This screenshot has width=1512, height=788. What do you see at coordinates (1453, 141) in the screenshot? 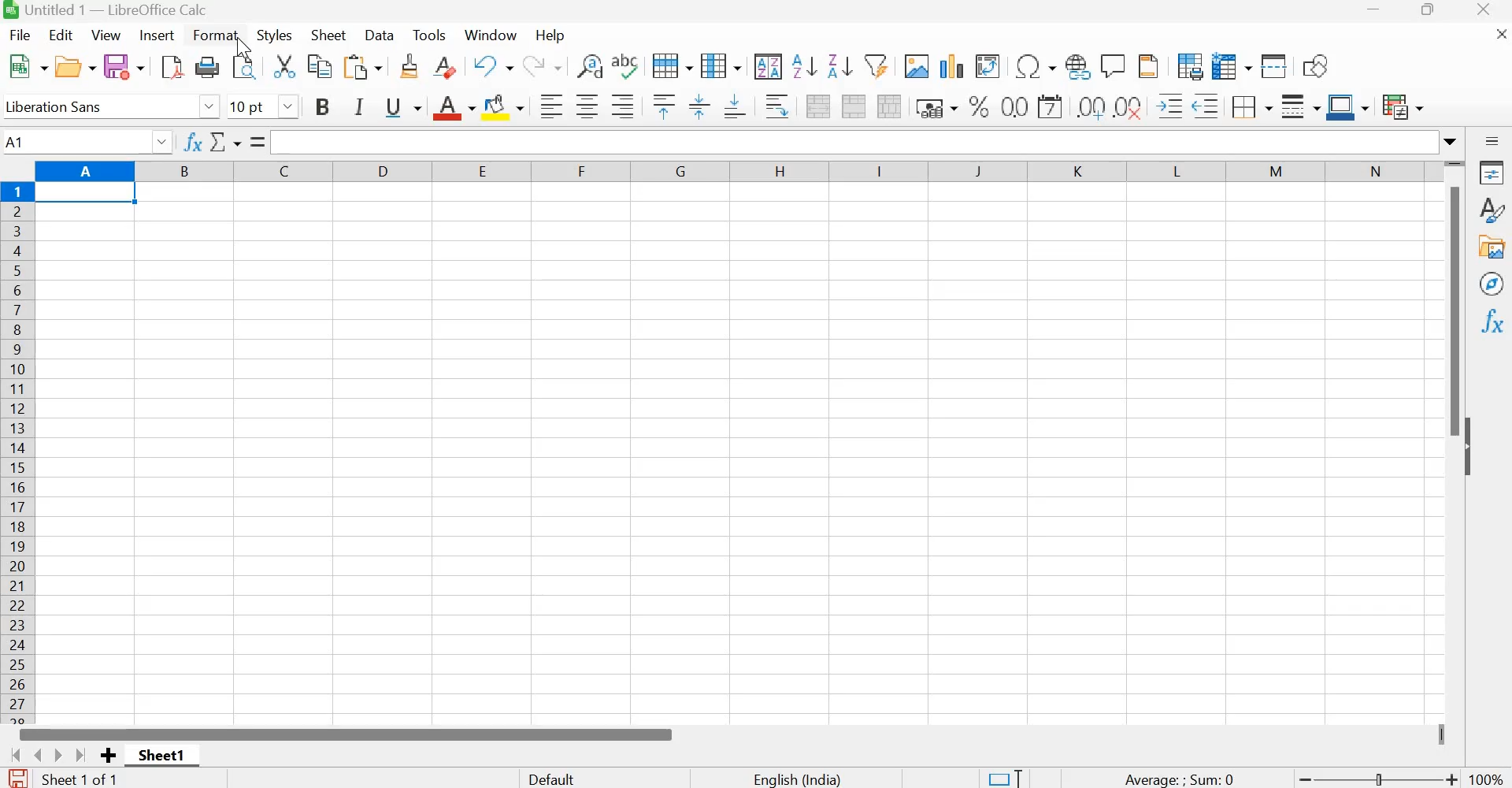
I see `Expand formula bar` at bounding box center [1453, 141].